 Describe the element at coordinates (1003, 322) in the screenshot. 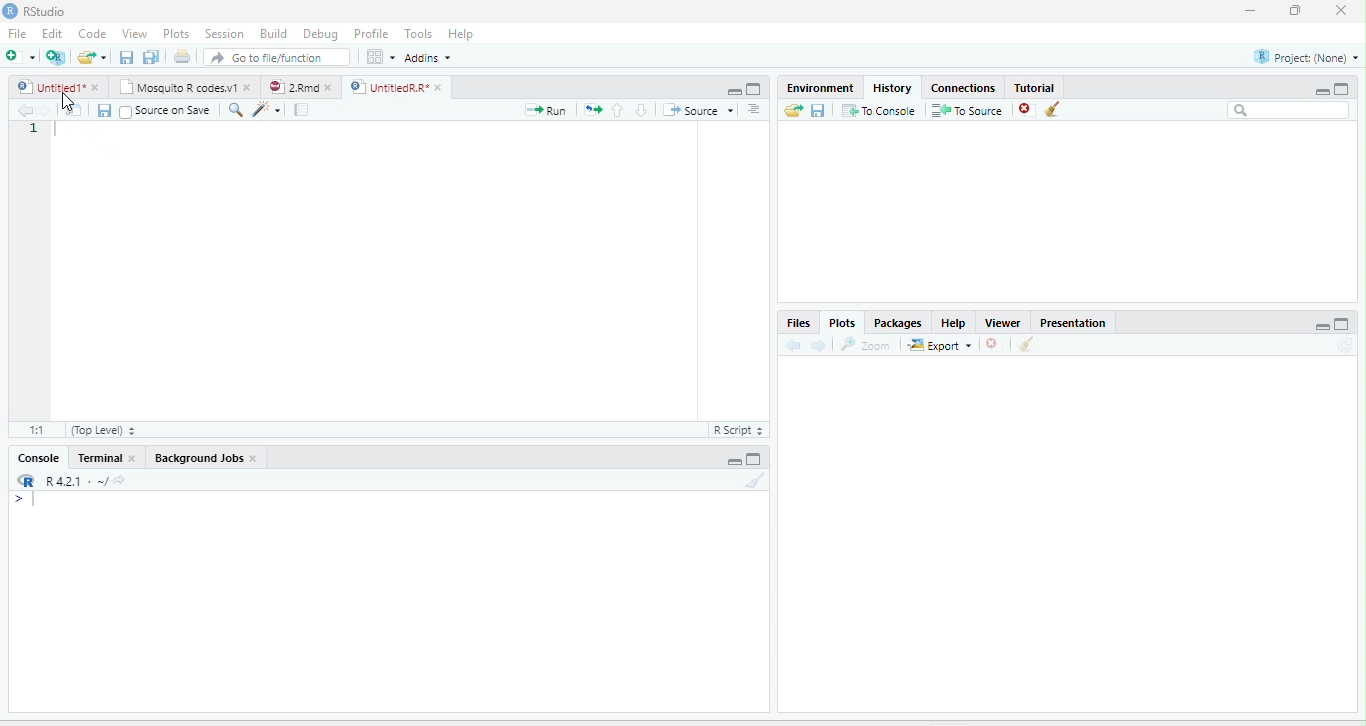

I see `Viewer` at that location.